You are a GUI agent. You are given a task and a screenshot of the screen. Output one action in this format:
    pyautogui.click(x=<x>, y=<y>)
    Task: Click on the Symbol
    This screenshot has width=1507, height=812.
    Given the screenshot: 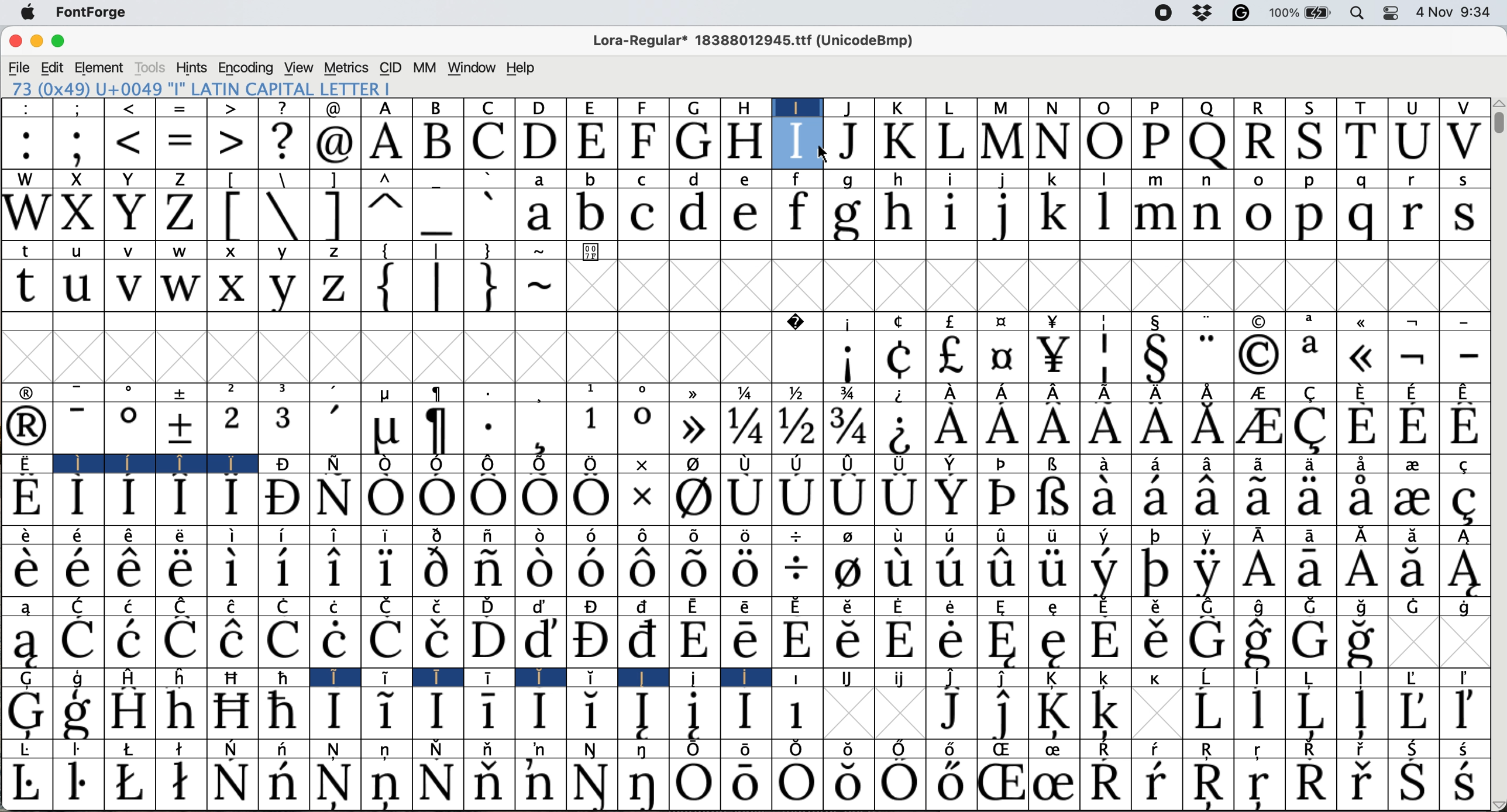 What is the action you would take?
    pyautogui.click(x=335, y=571)
    